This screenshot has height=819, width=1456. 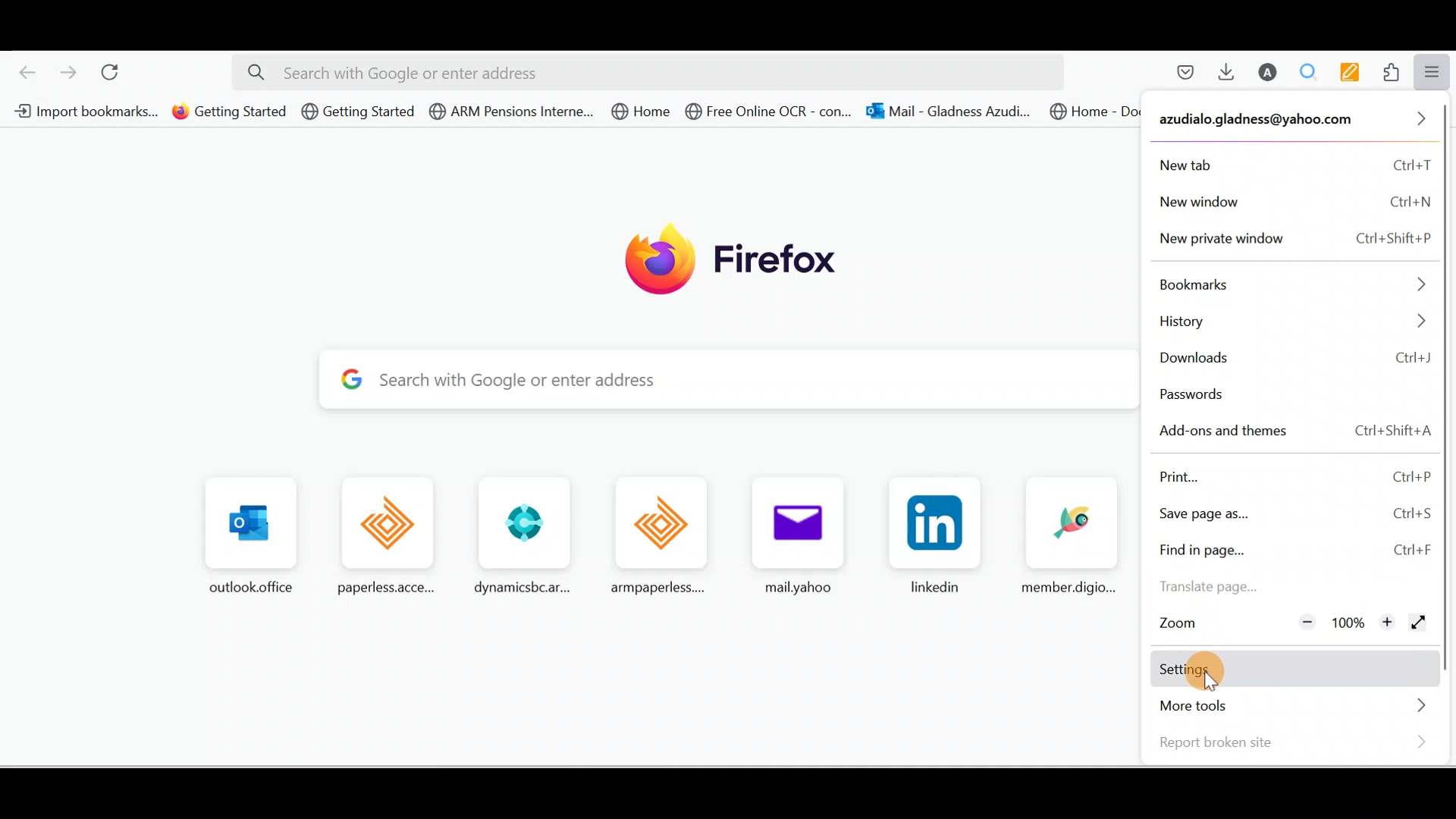 What do you see at coordinates (1305, 162) in the screenshot?
I see `New tab` at bounding box center [1305, 162].